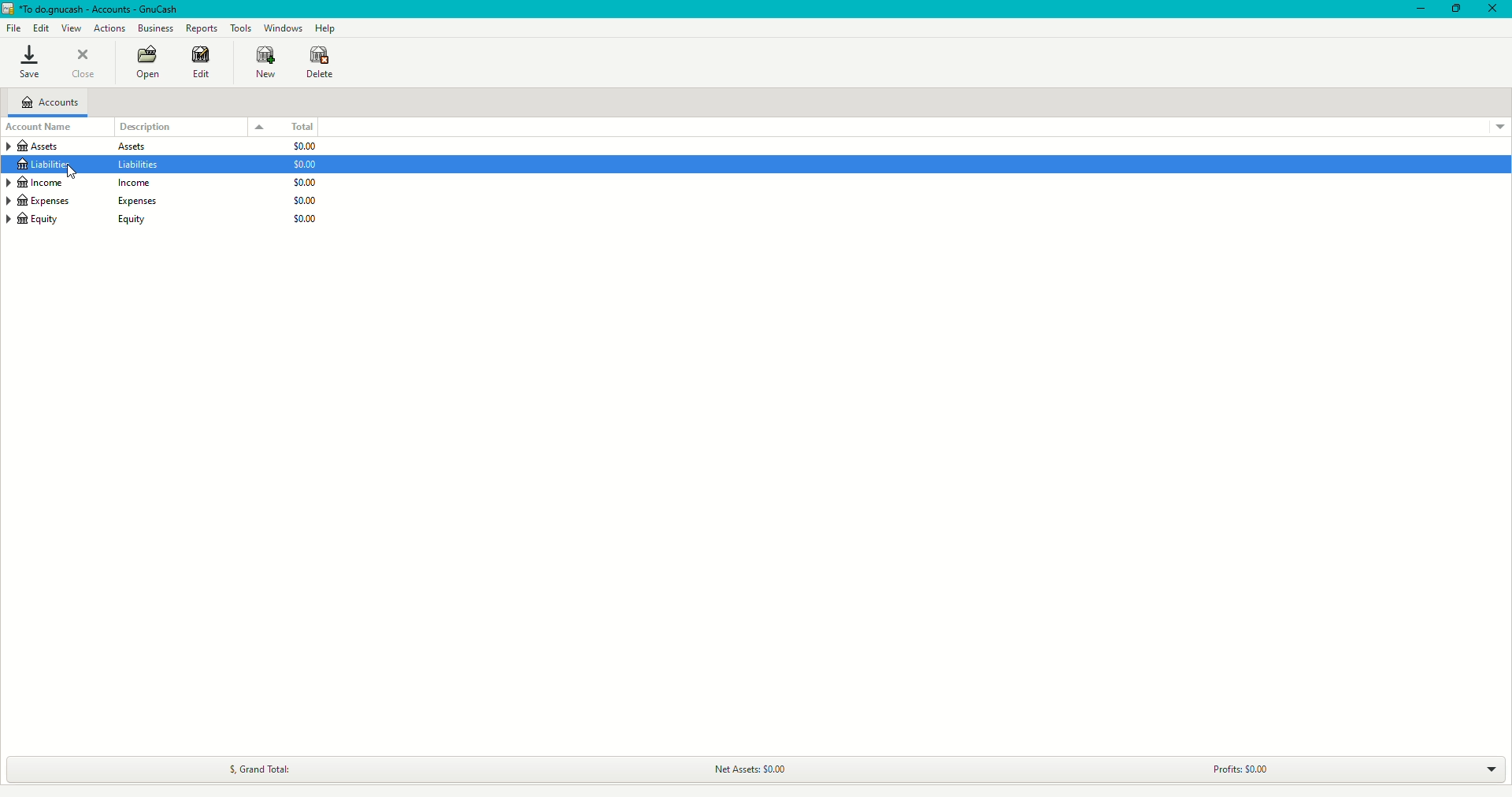  What do you see at coordinates (1416, 9) in the screenshot?
I see `Minimize` at bounding box center [1416, 9].